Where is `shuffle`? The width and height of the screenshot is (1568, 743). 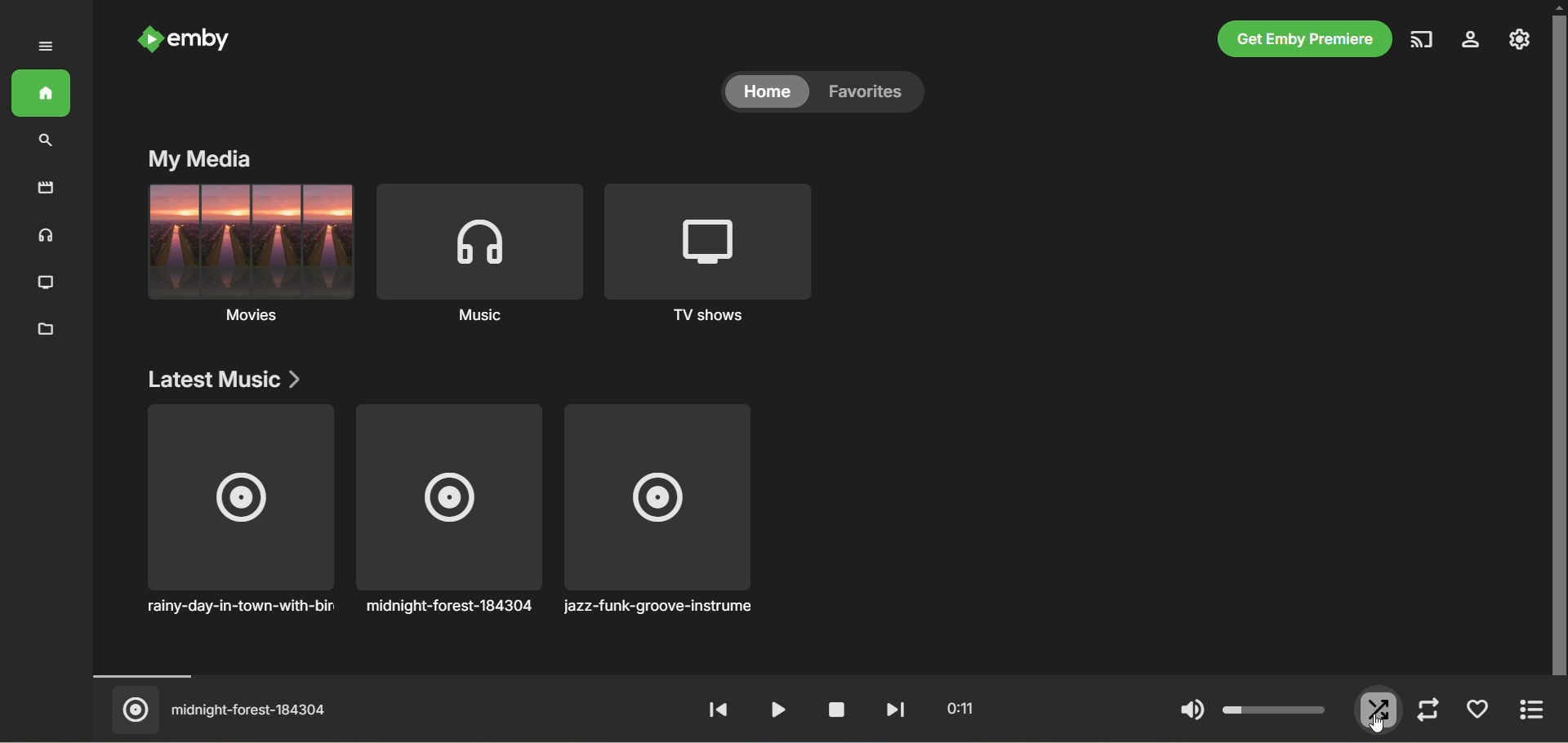 shuffle is located at coordinates (1380, 711).